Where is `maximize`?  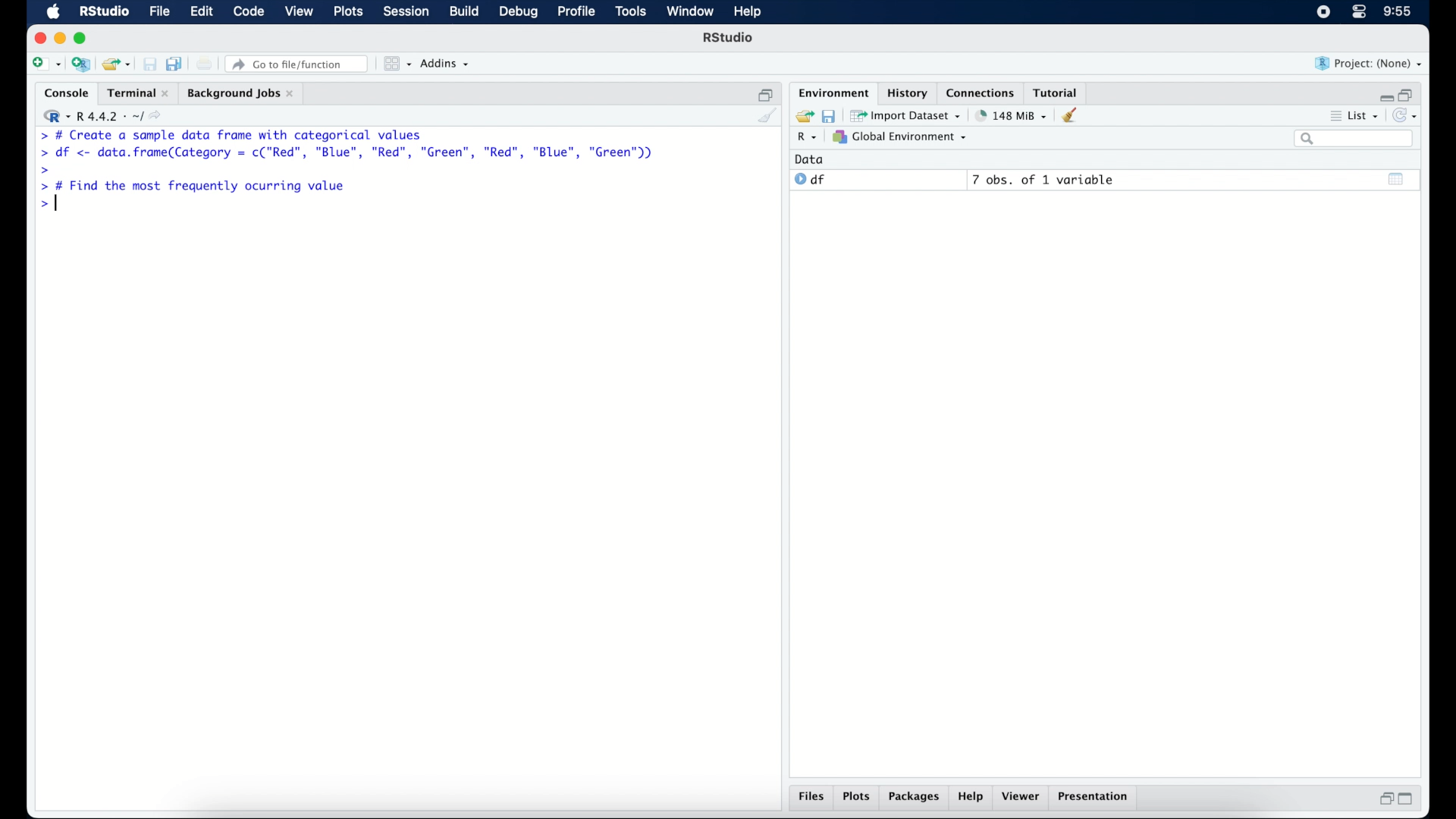 maximize is located at coordinates (1407, 801).